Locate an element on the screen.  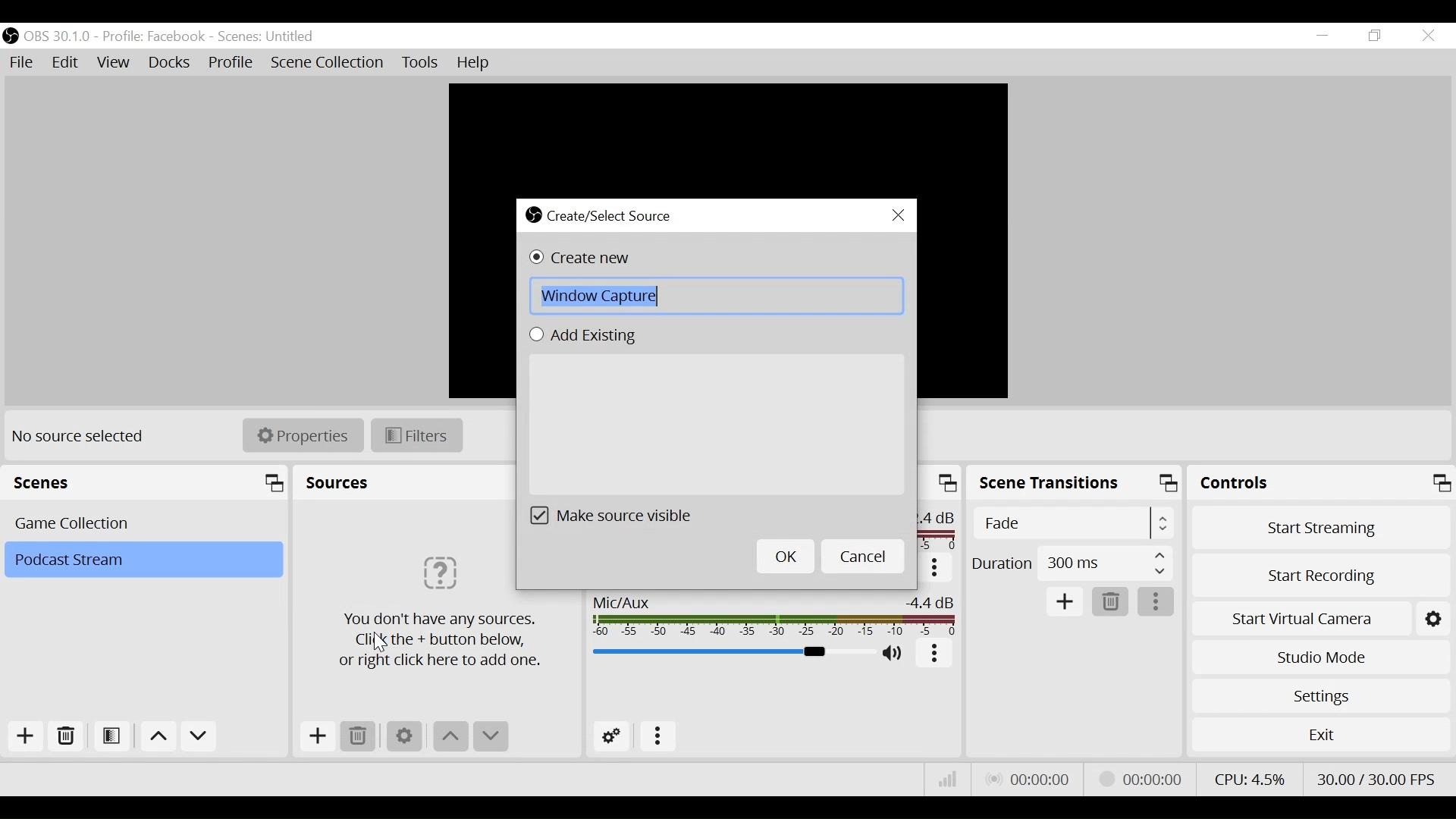
Help is located at coordinates (475, 64).